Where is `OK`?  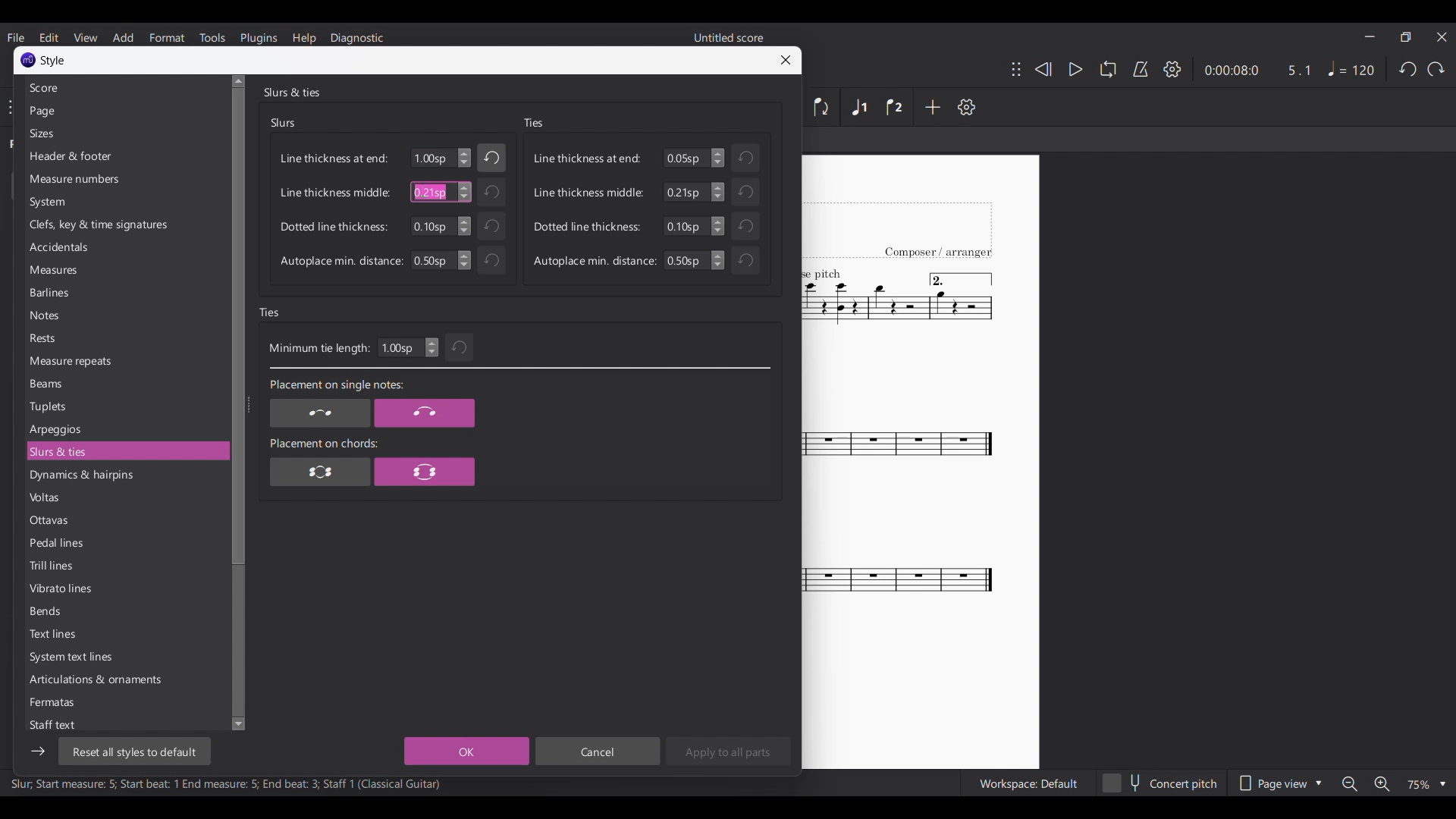 OK is located at coordinates (466, 751).